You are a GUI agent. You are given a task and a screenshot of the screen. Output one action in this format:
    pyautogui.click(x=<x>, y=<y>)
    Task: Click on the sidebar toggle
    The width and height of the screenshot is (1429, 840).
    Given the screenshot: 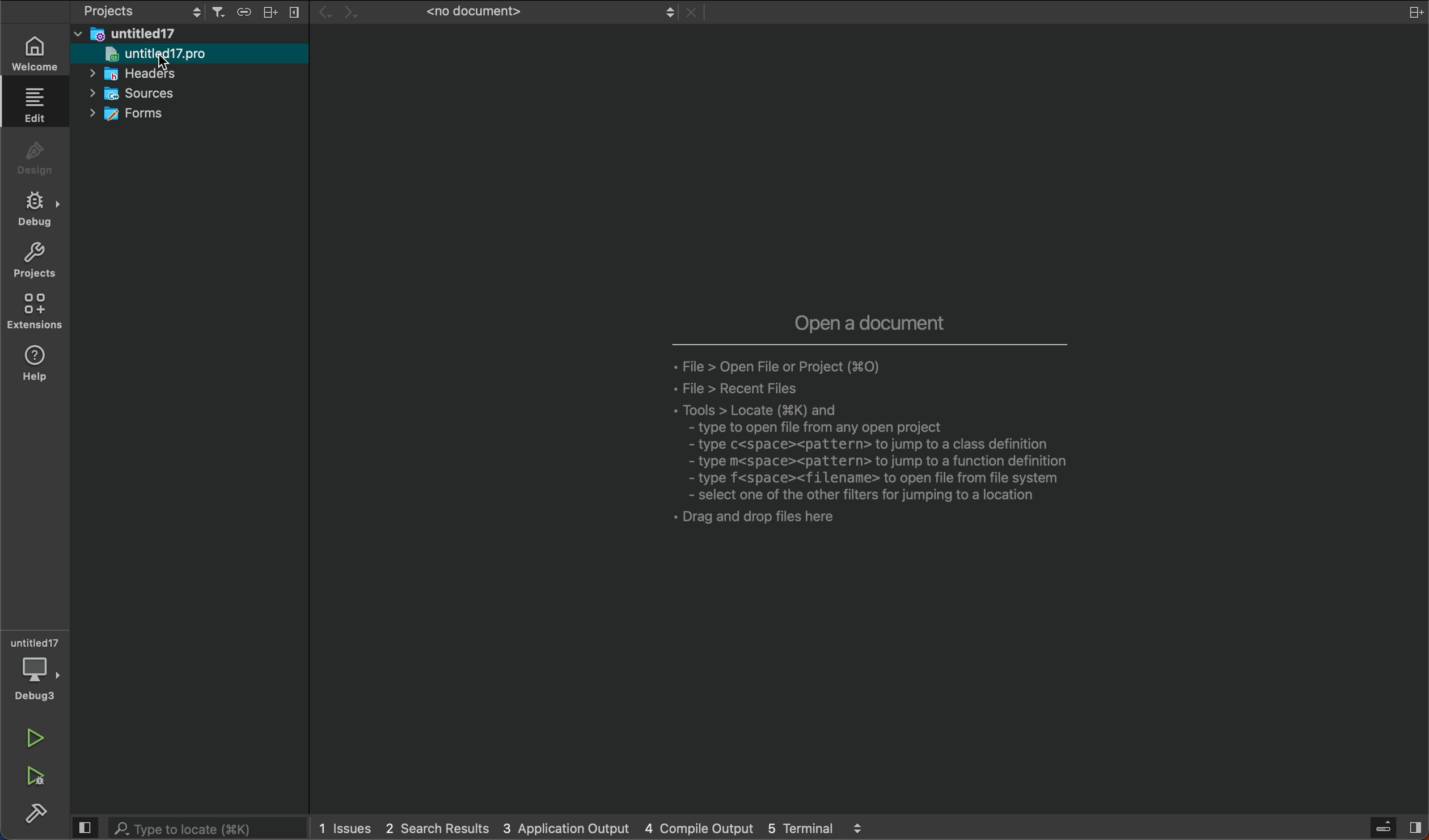 What is the action you would take?
    pyautogui.click(x=1395, y=829)
    